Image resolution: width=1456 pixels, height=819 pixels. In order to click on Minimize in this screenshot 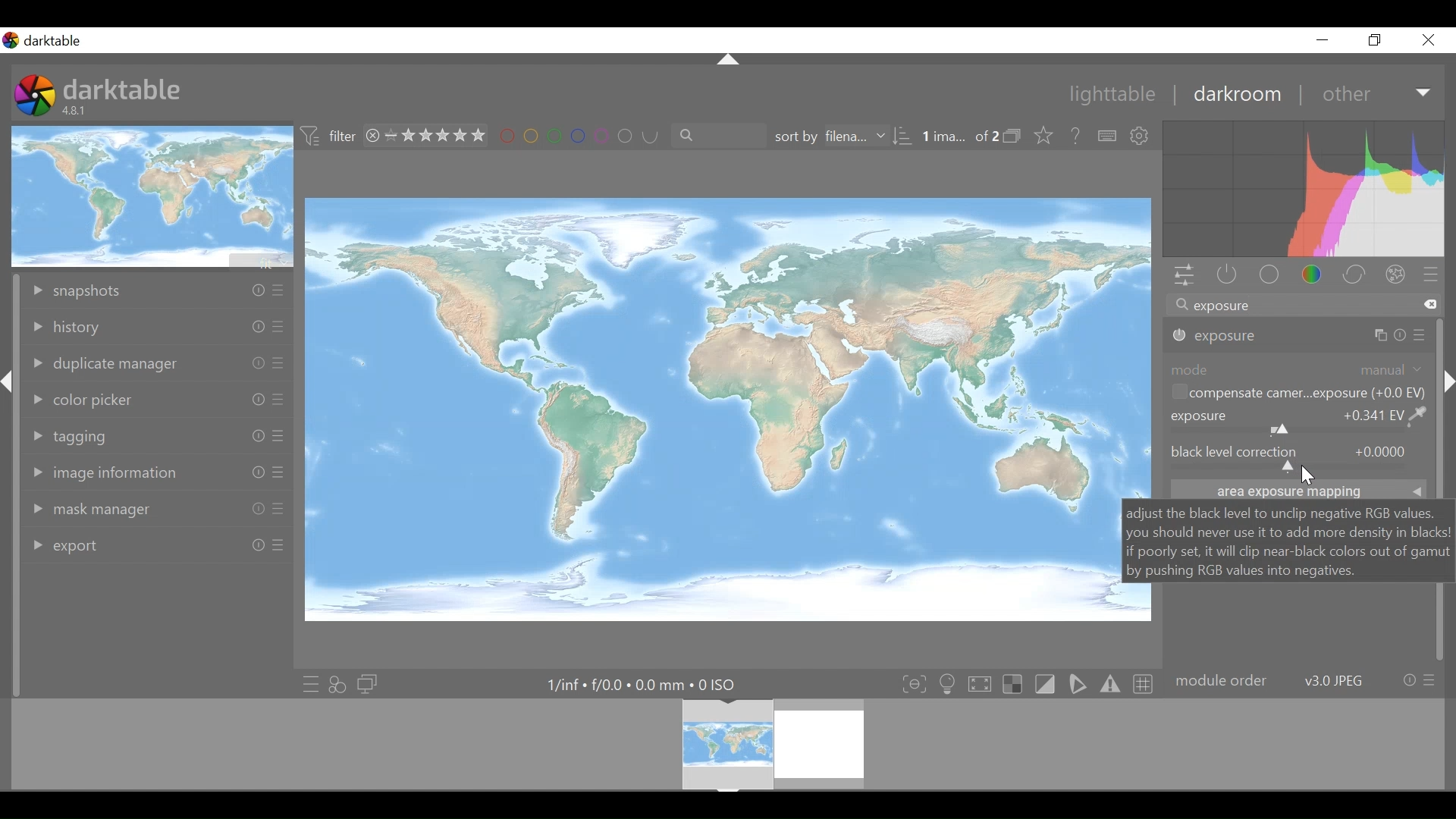, I will do `click(1323, 39)`.